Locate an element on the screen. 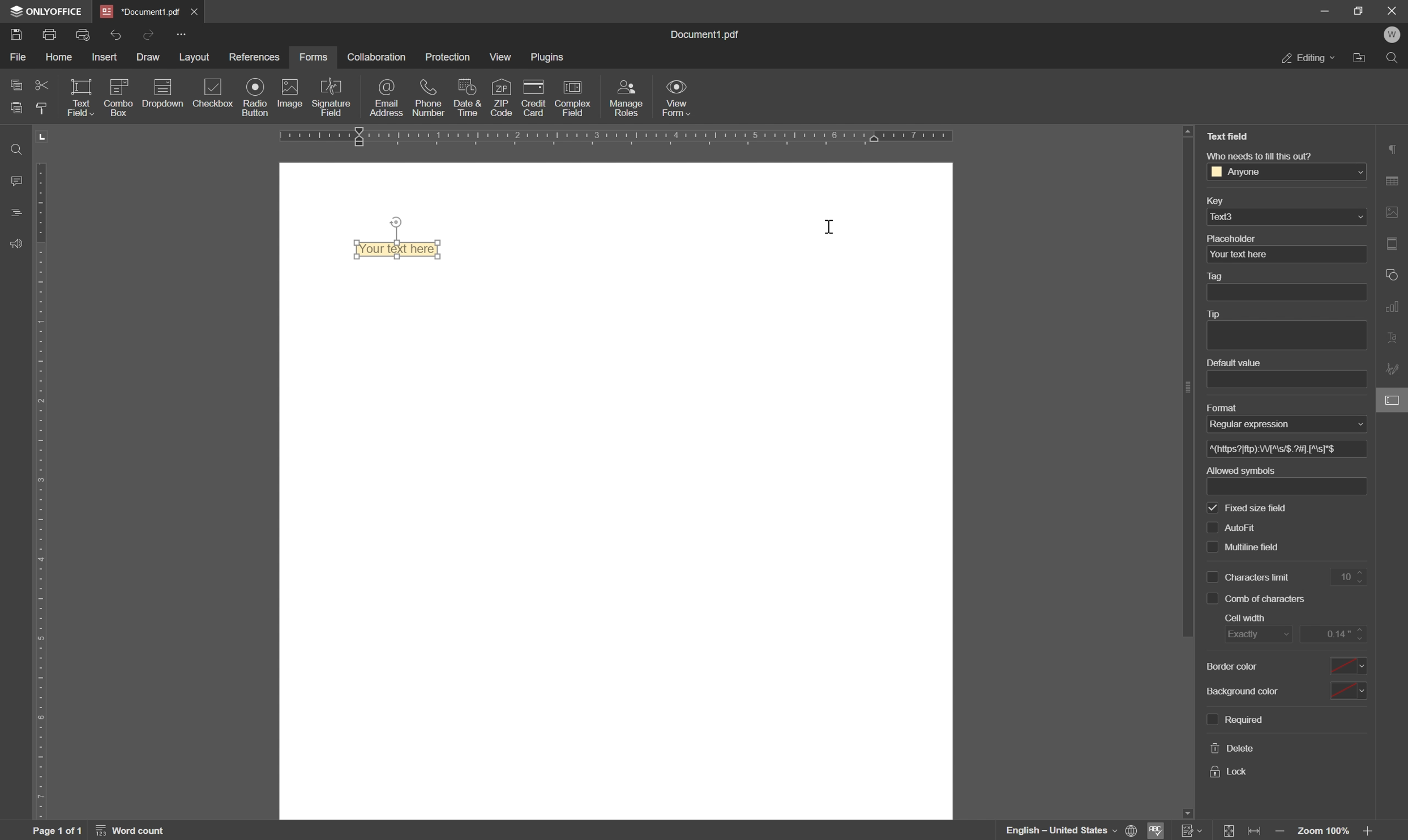 This screenshot has height=840, width=1408. word count is located at coordinates (134, 830).